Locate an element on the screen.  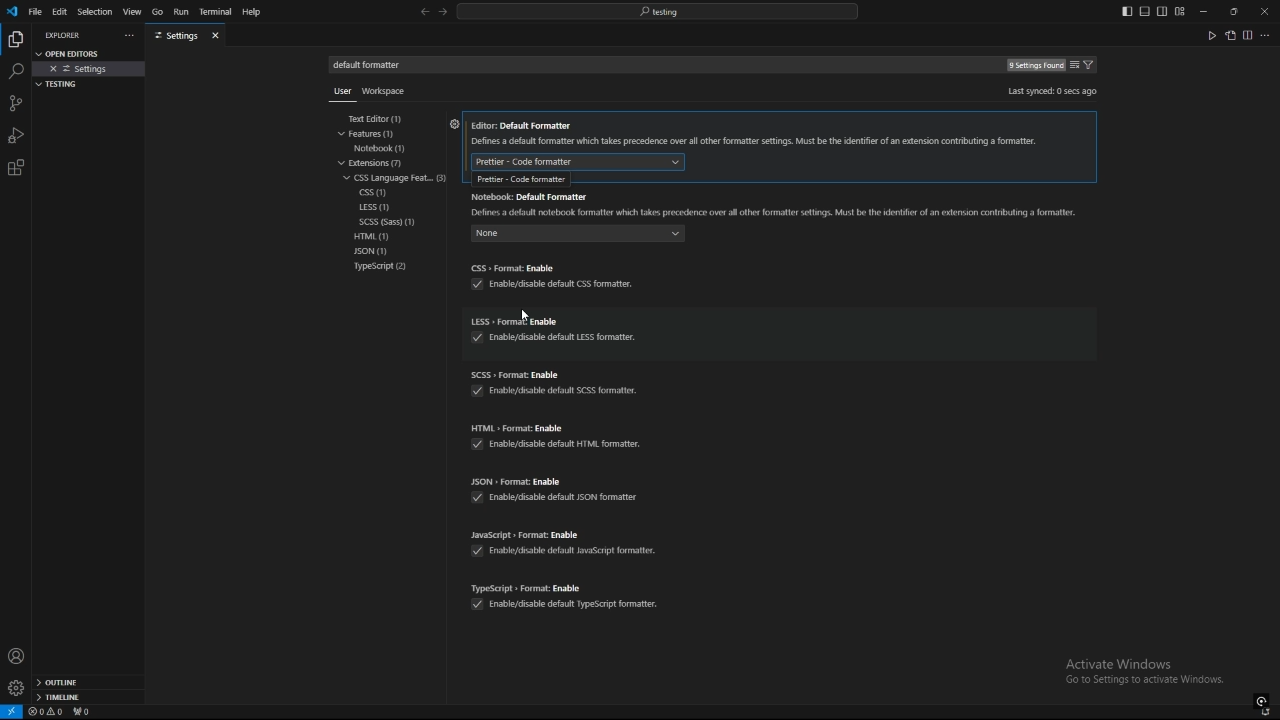
settings is located at coordinates (176, 36).